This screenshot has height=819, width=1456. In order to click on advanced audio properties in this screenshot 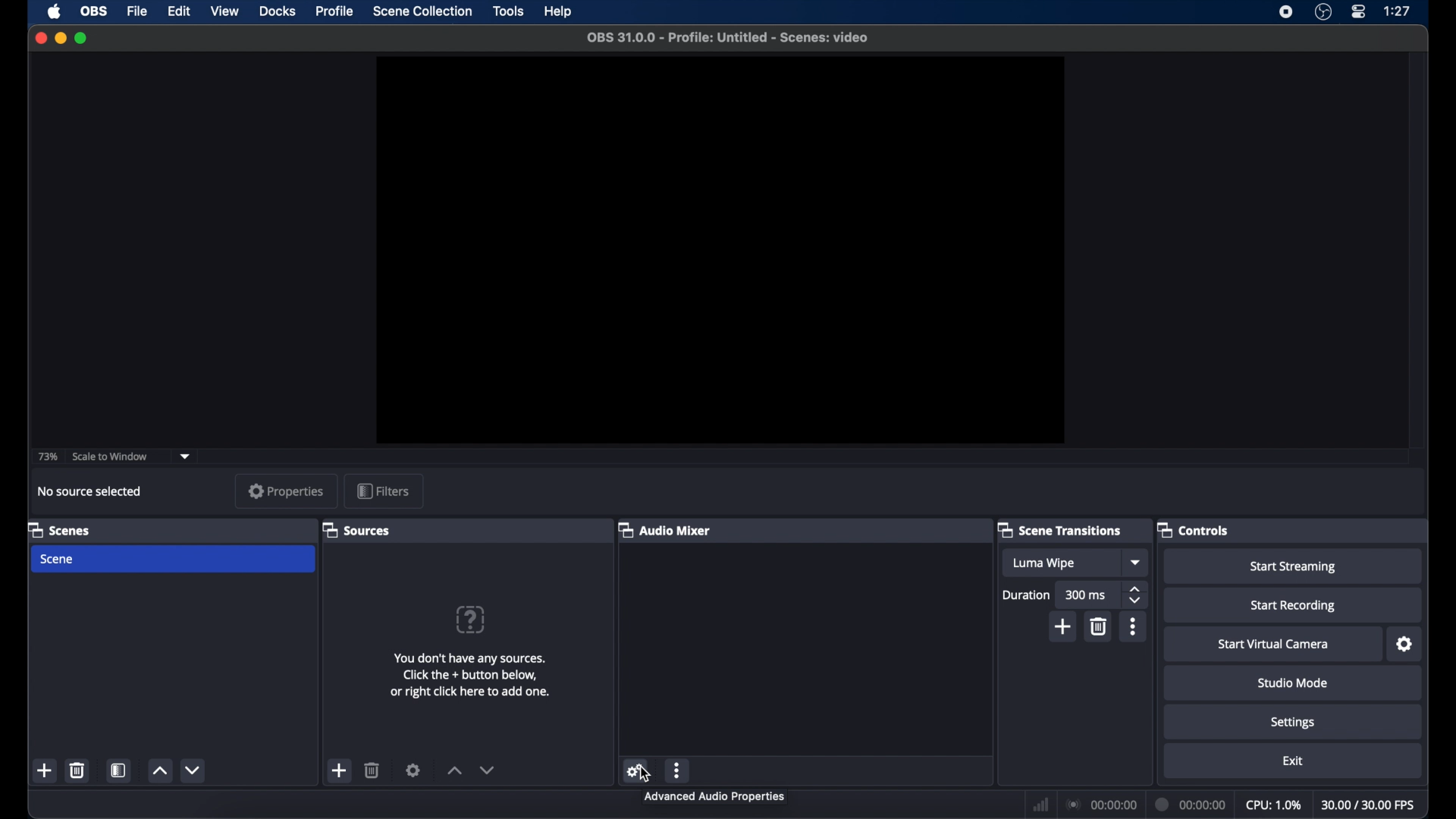, I will do `click(711, 796)`.